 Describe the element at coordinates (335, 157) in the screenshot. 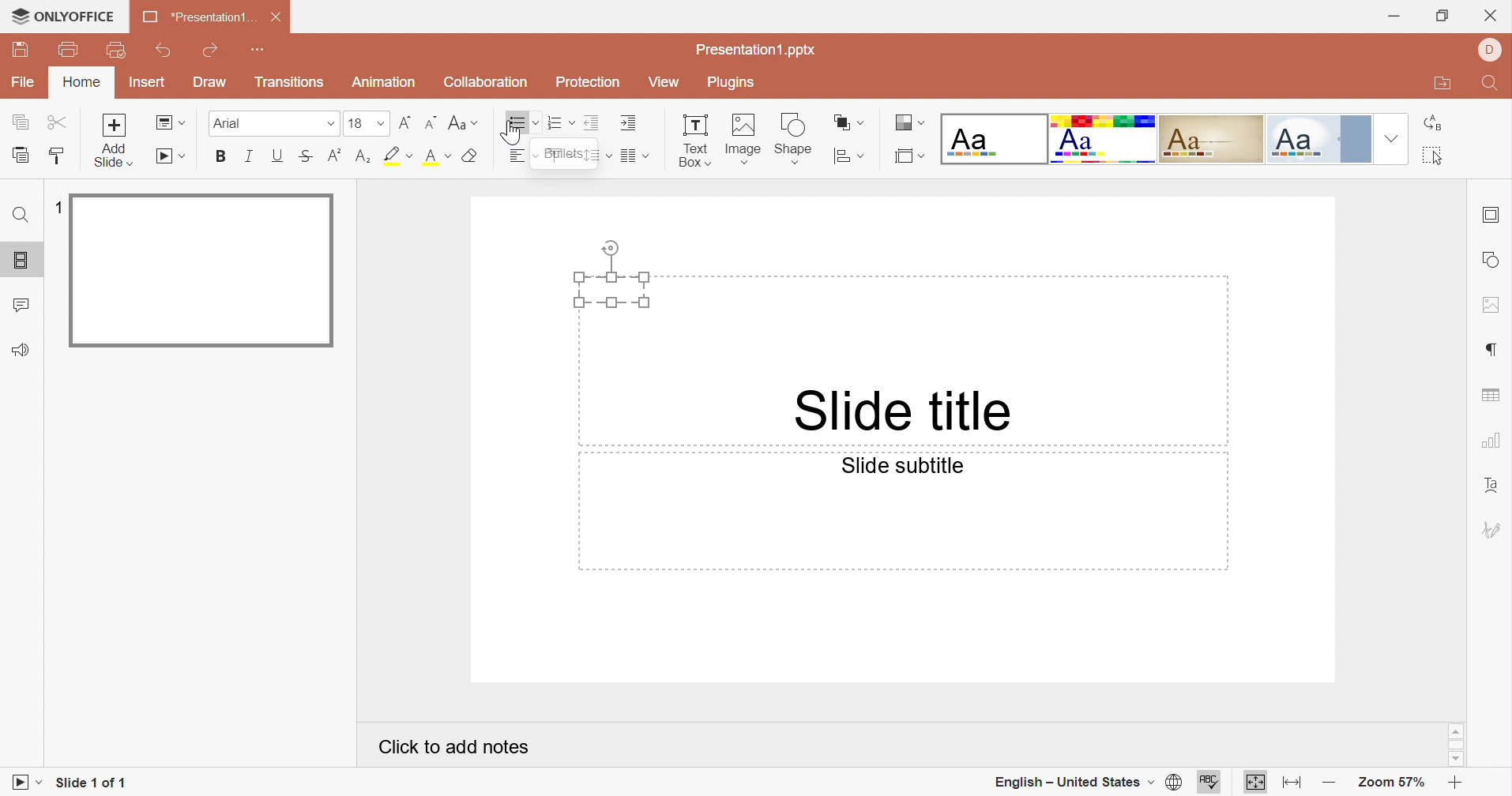

I see `Subscript` at that location.